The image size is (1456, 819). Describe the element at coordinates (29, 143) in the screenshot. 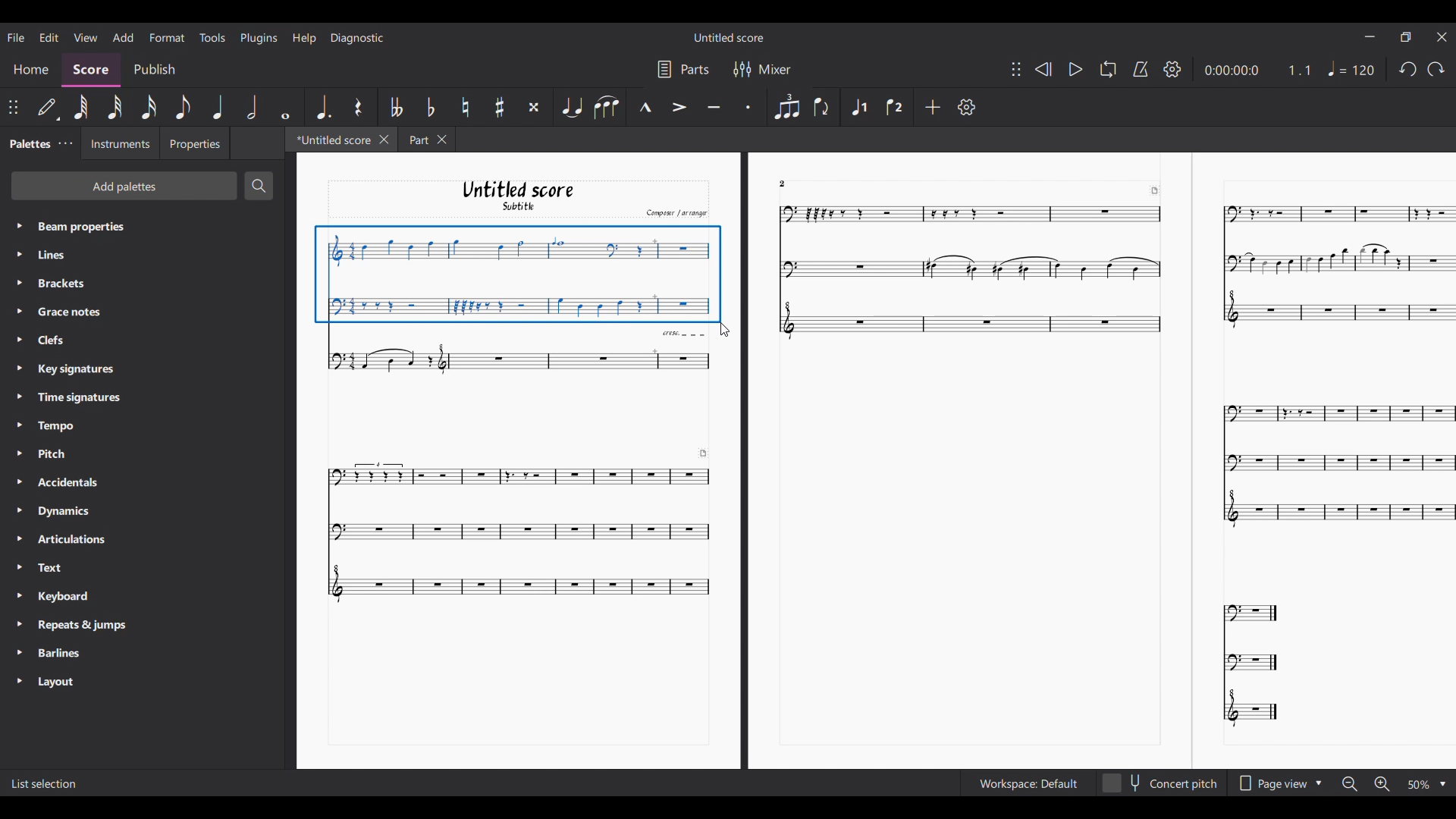

I see `Palette tab` at that location.